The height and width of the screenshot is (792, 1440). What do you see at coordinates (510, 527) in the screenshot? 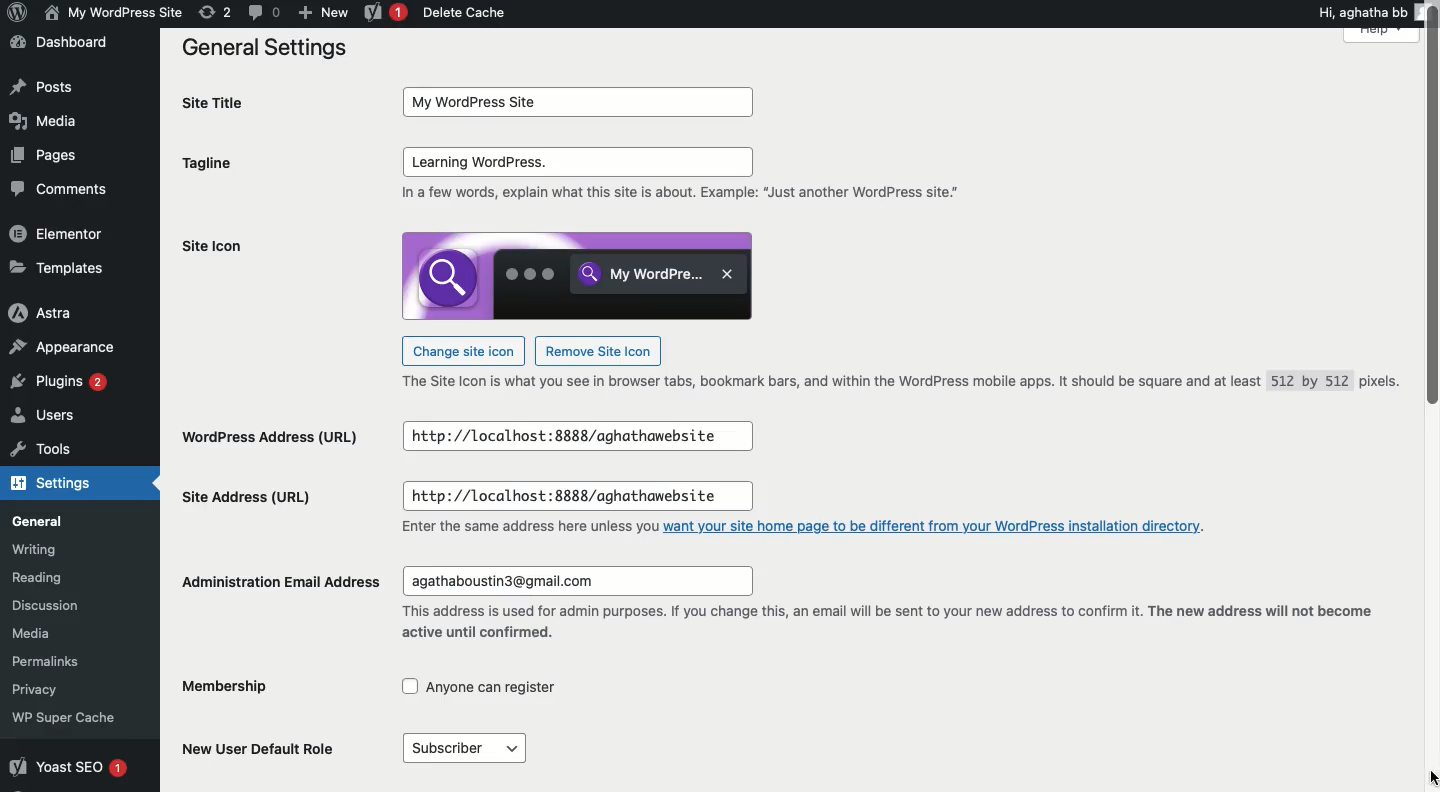
I see `Enter the same address here unless you` at bounding box center [510, 527].